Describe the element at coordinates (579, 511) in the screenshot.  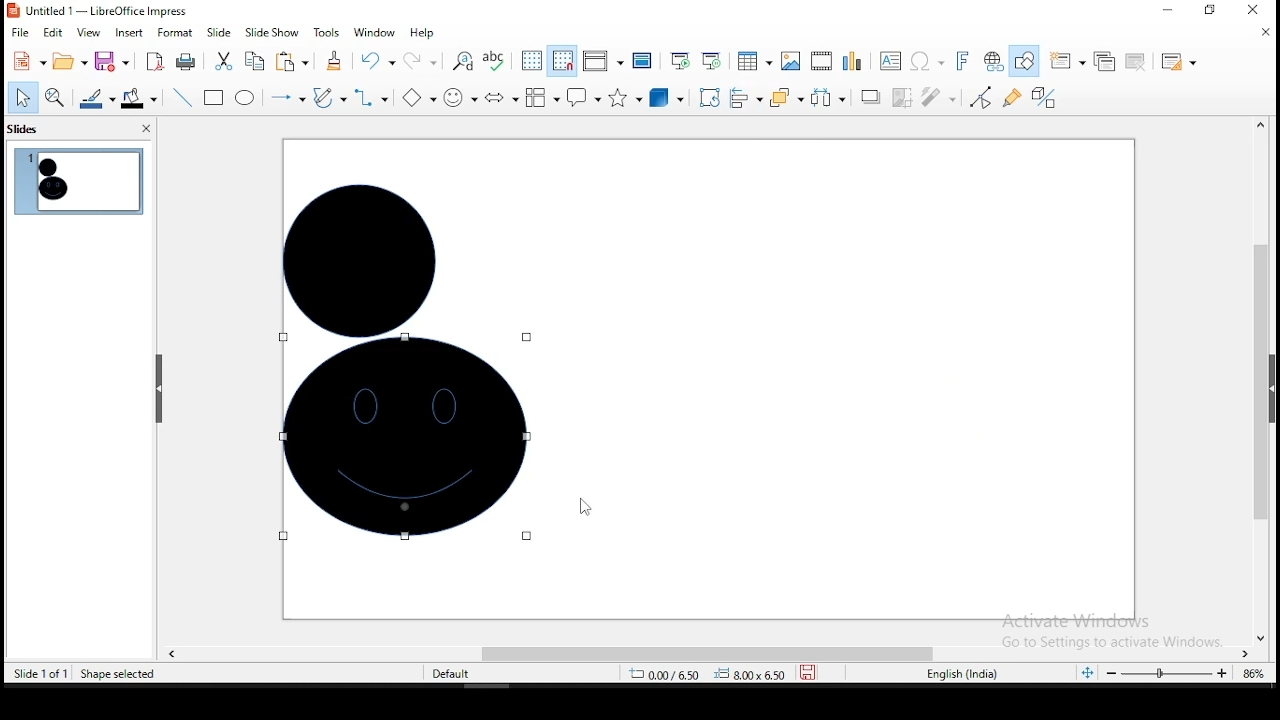
I see `mouse pointer` at that location.